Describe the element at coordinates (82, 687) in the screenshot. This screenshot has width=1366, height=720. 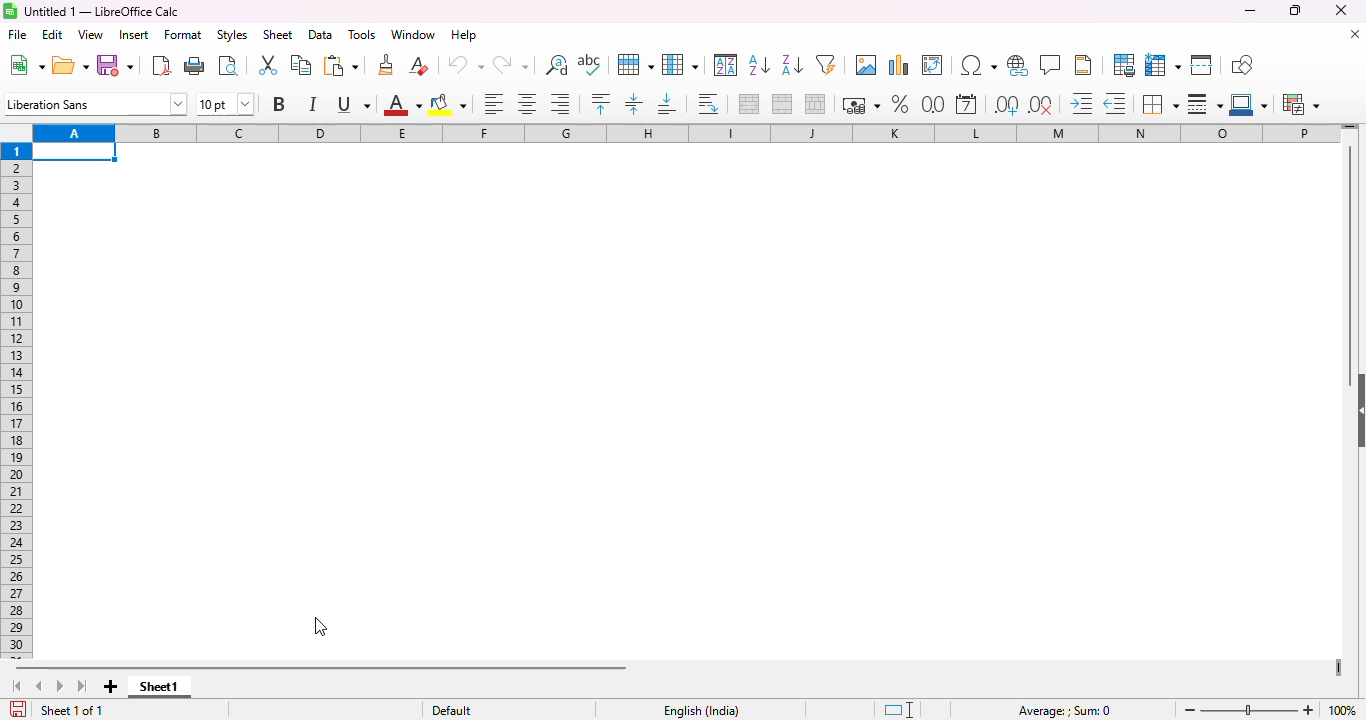
I see `scroll to last sheet` at that location.